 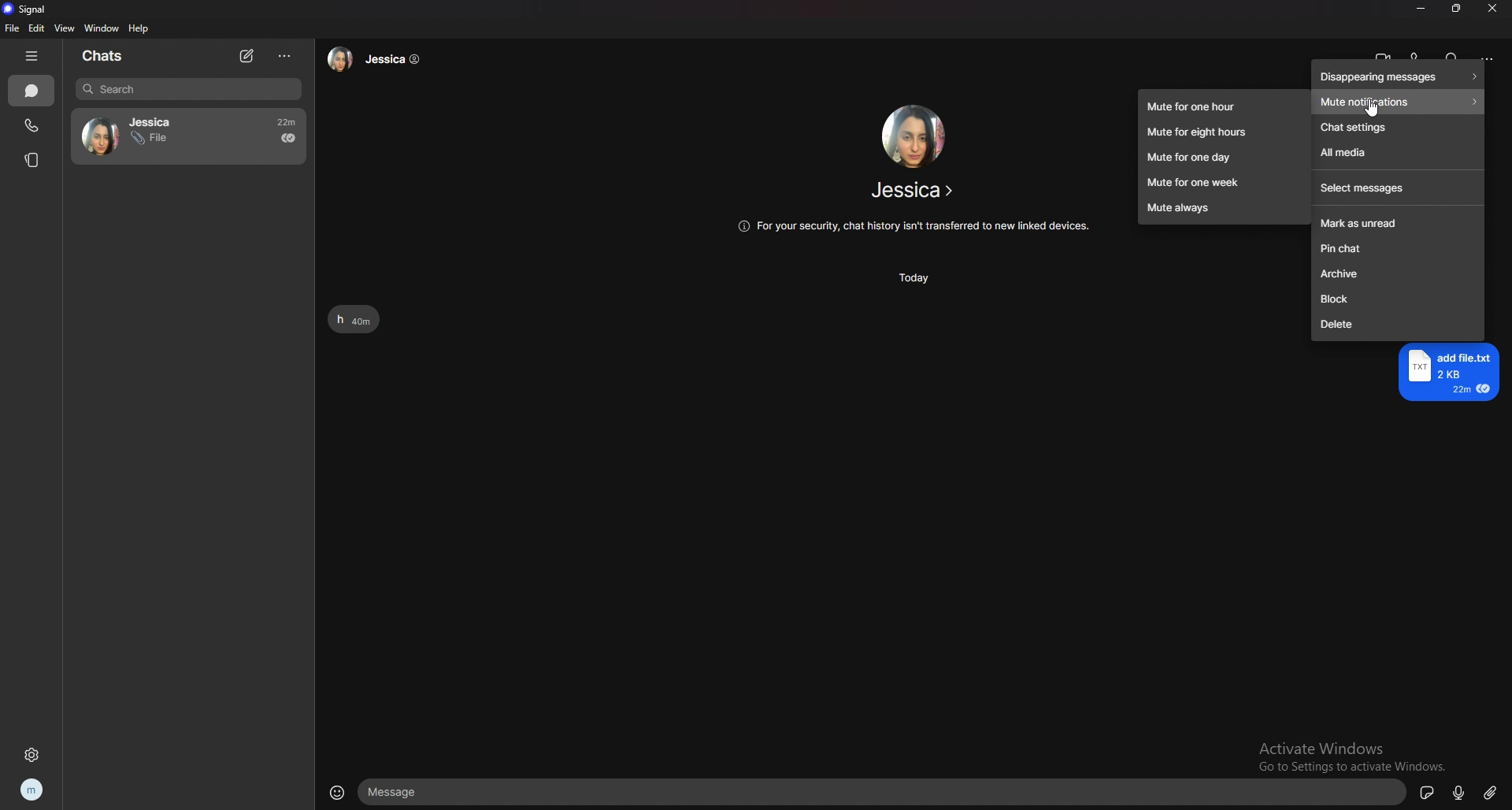 I want to click on select messages, so click(x=1399, y=189).